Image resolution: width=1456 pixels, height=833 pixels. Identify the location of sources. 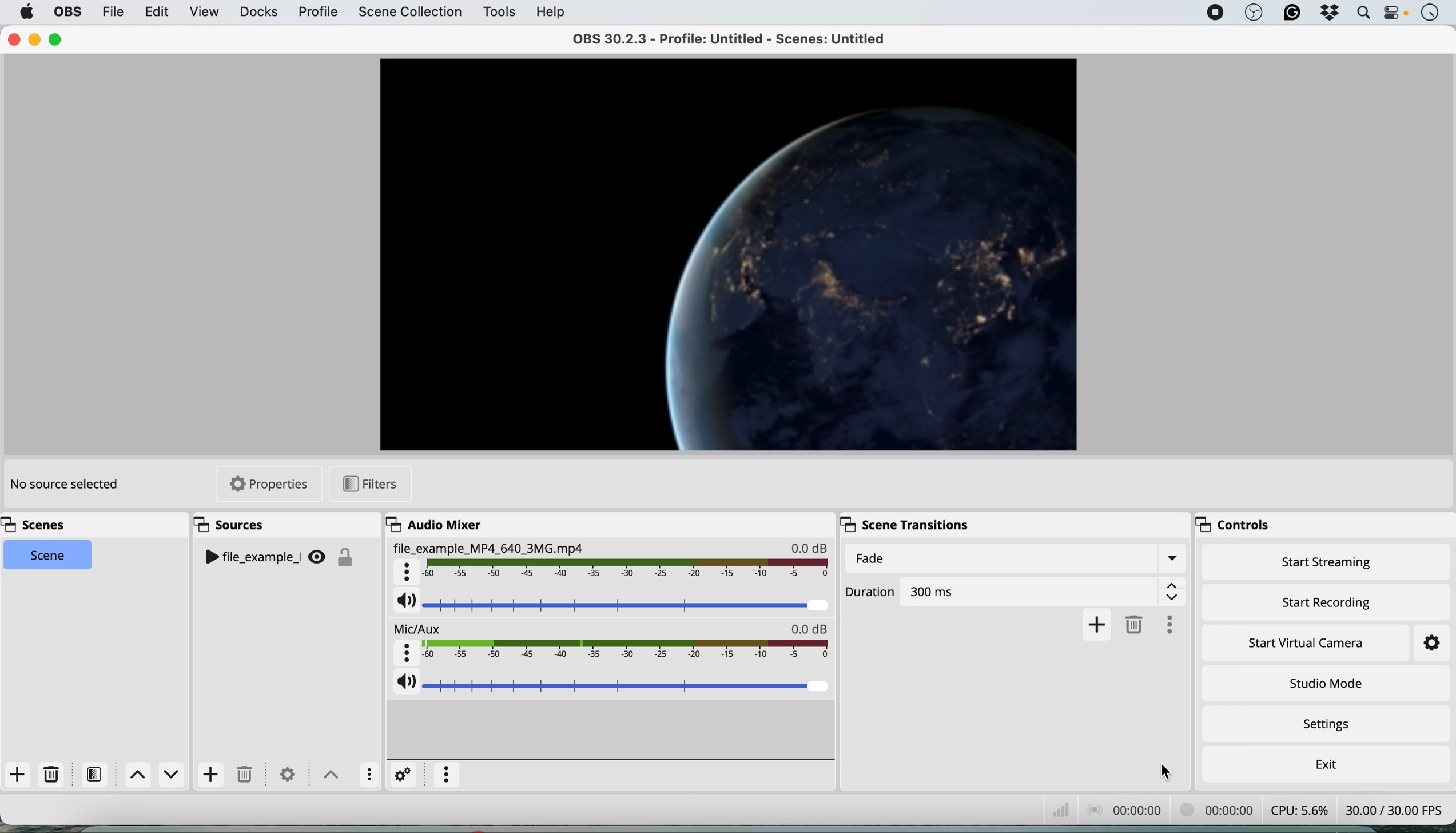
(235, 525).